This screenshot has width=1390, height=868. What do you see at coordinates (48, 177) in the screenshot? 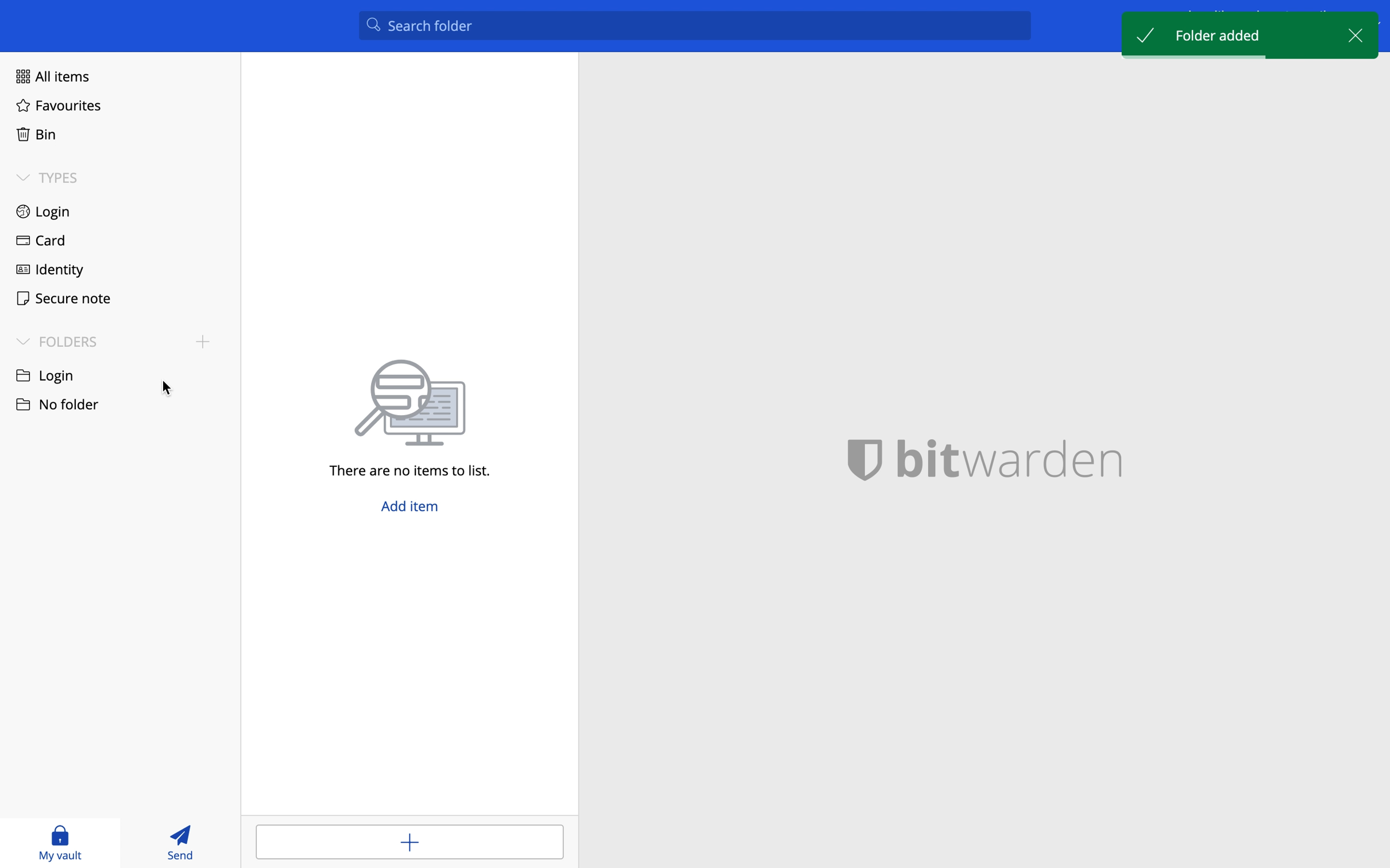
I see `types` at bounding box center [48, 177].